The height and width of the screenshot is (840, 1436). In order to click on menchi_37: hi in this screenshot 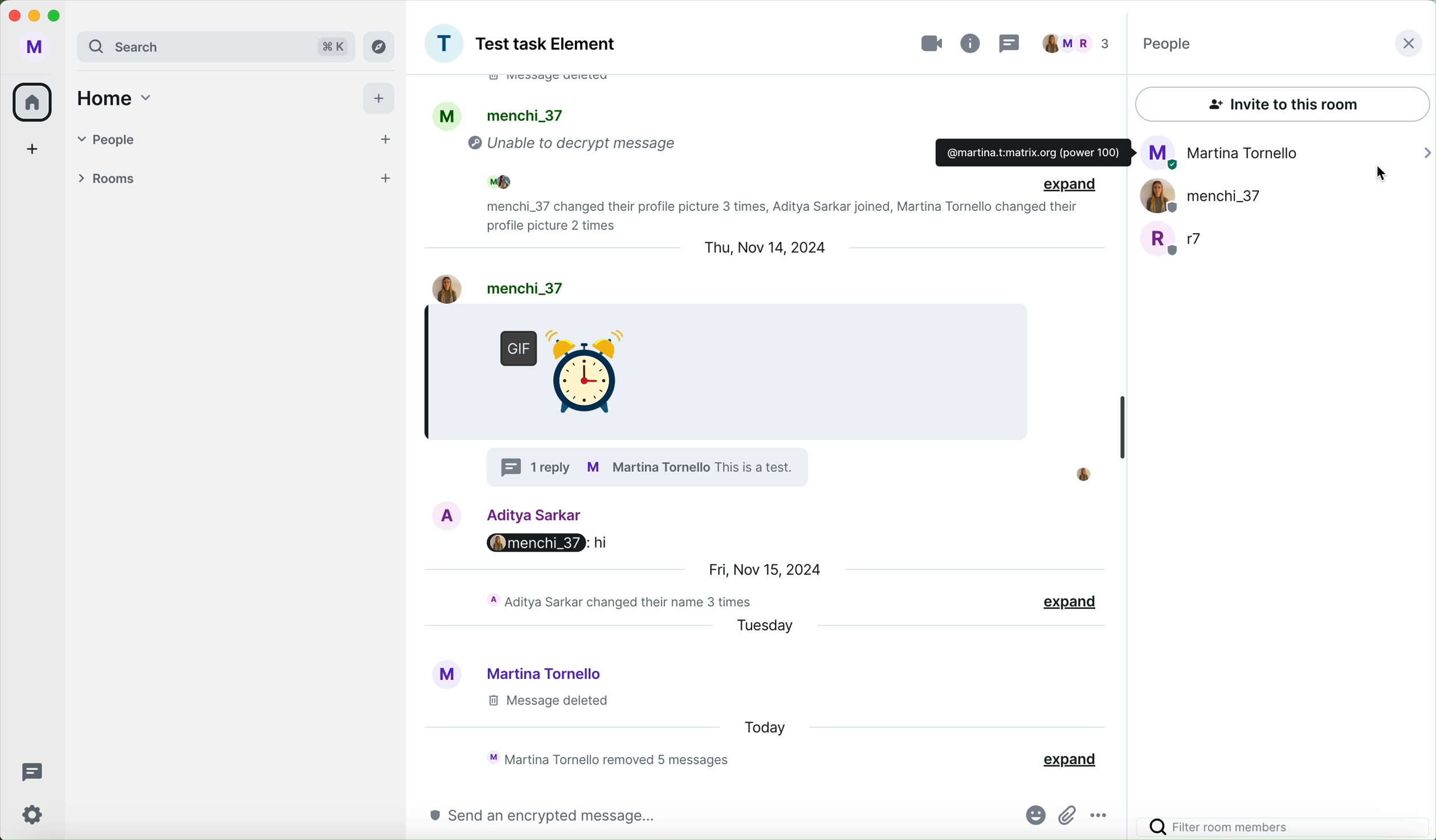, I will do `click(533, 543)`.